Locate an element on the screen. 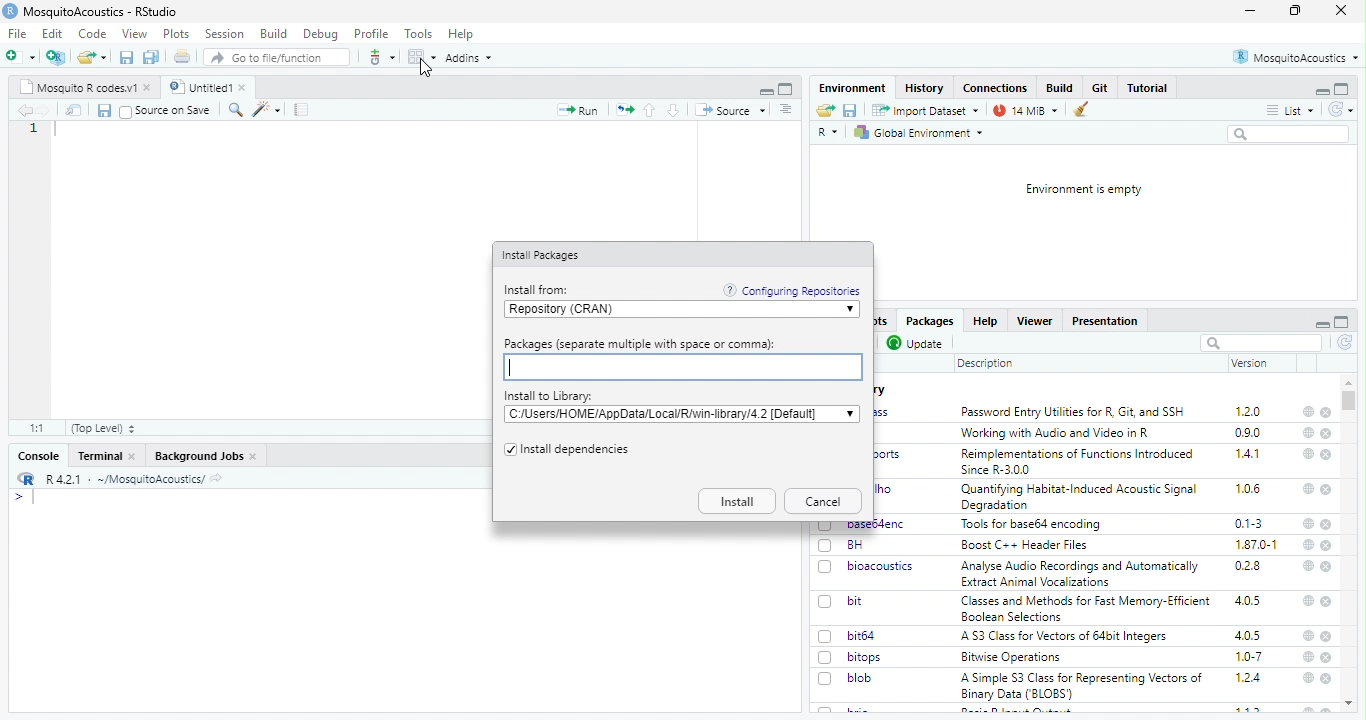 This screenshot has height=720, width=1366. Help is located at coordinates (462, 35).